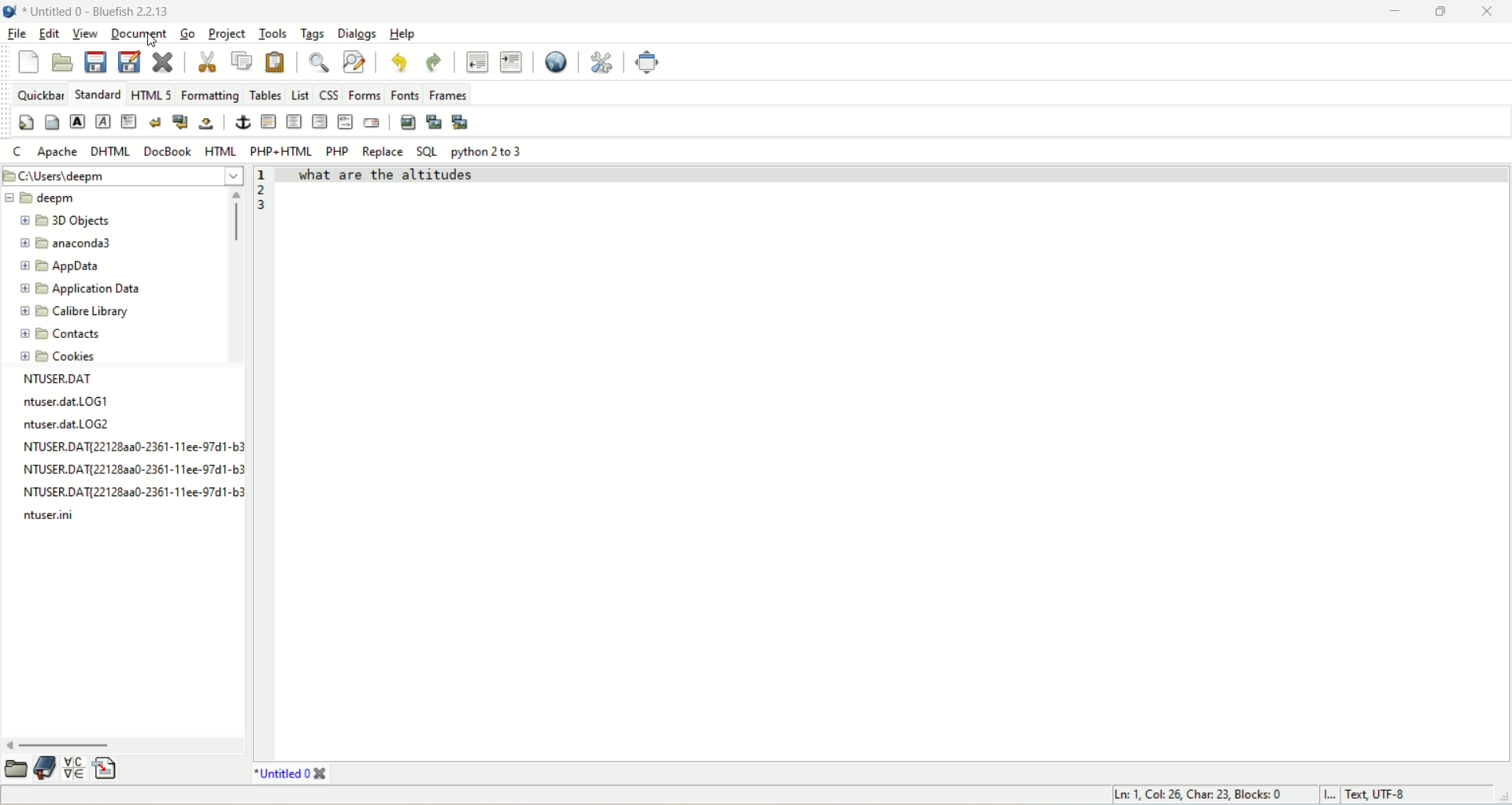  Describe the element at coordinates (28, 62) in the screenshot. I see `new` at that location.